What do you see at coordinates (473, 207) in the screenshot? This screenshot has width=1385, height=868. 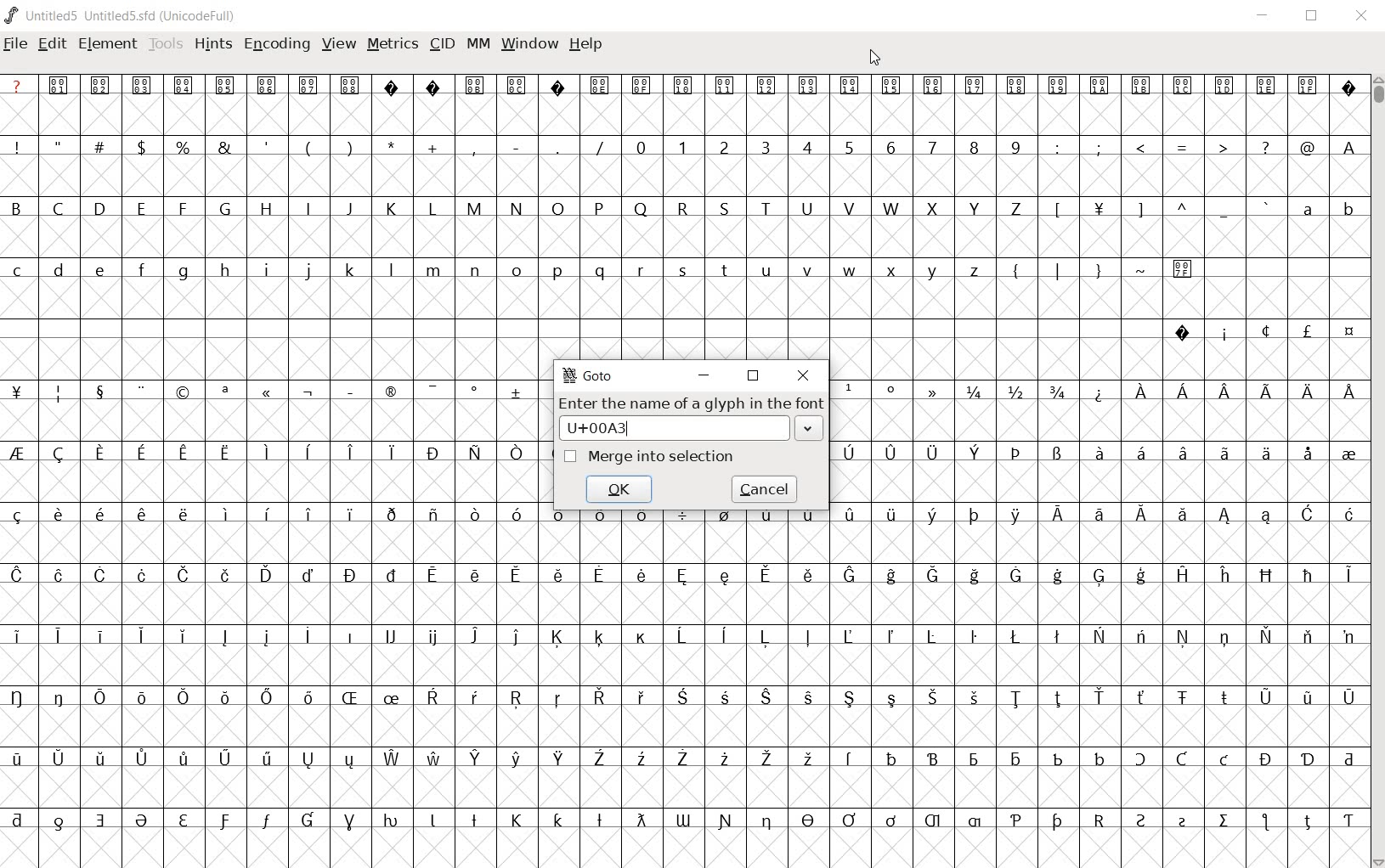 I see `M` at bounding box center [473, 207].